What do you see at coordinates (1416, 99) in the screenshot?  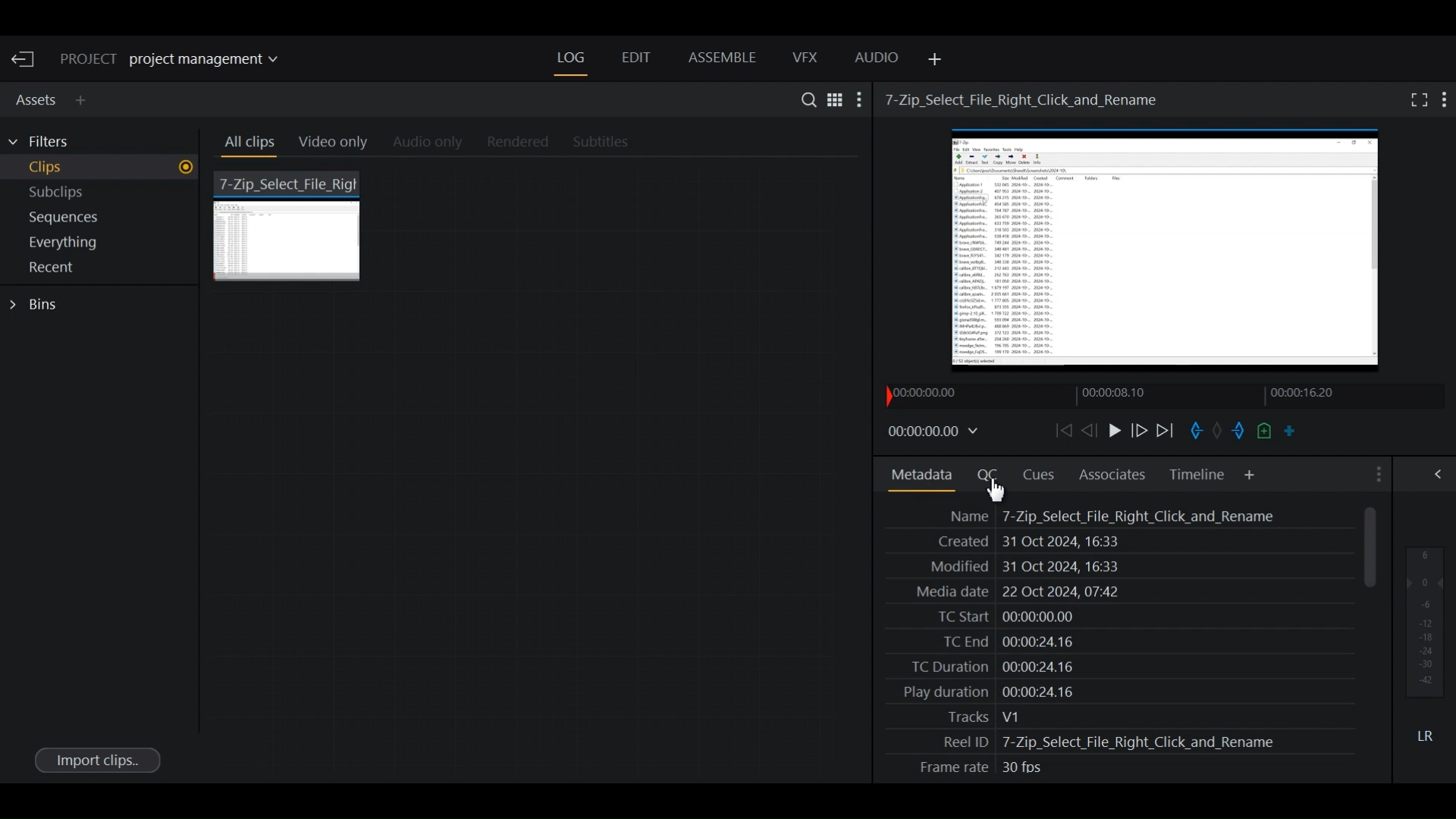 I see `Fullscreen` at bounding box center [1416, 99].